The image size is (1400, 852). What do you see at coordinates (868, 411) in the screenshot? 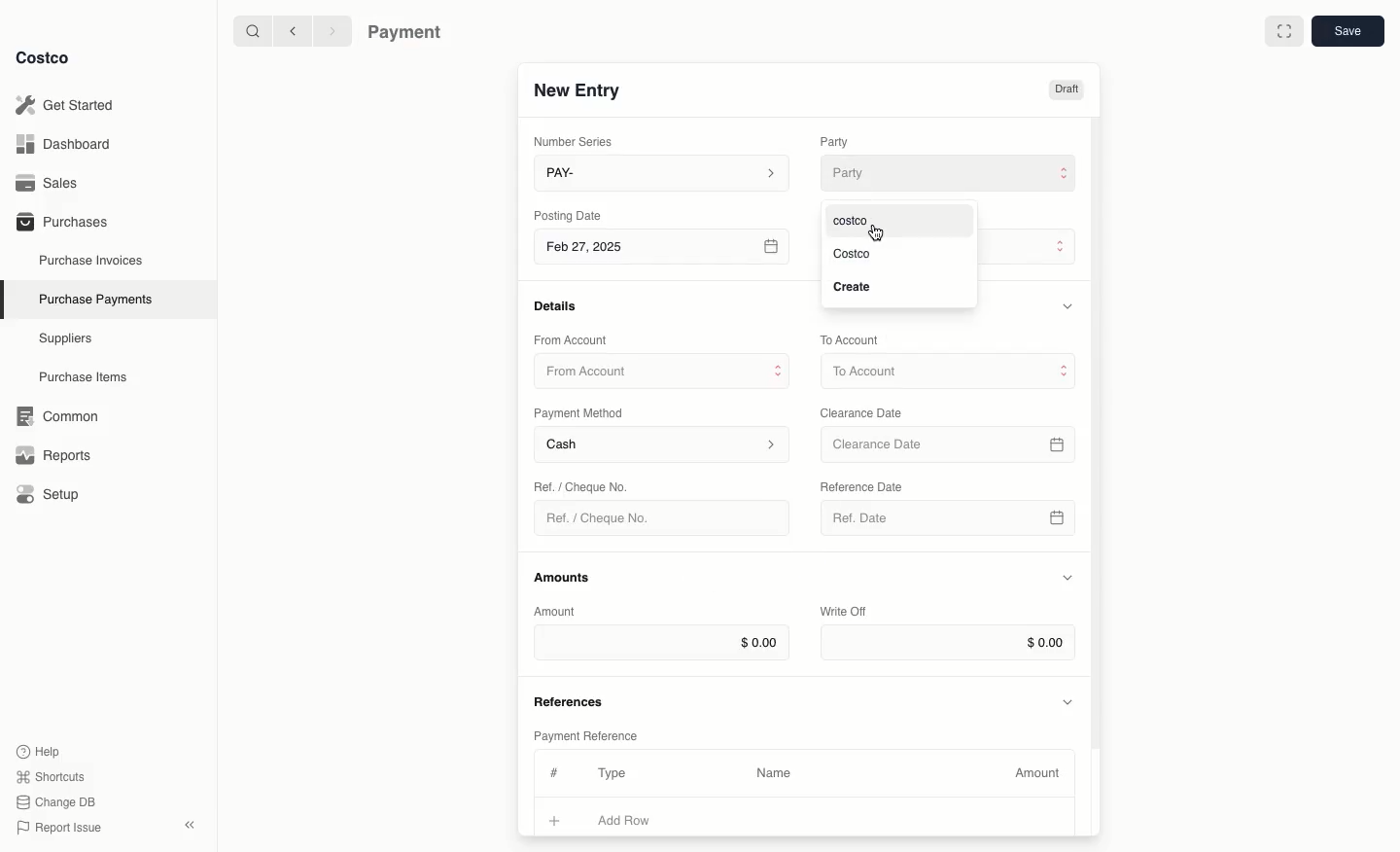
I see `Clearance Date` at bounding box center [868, 411].